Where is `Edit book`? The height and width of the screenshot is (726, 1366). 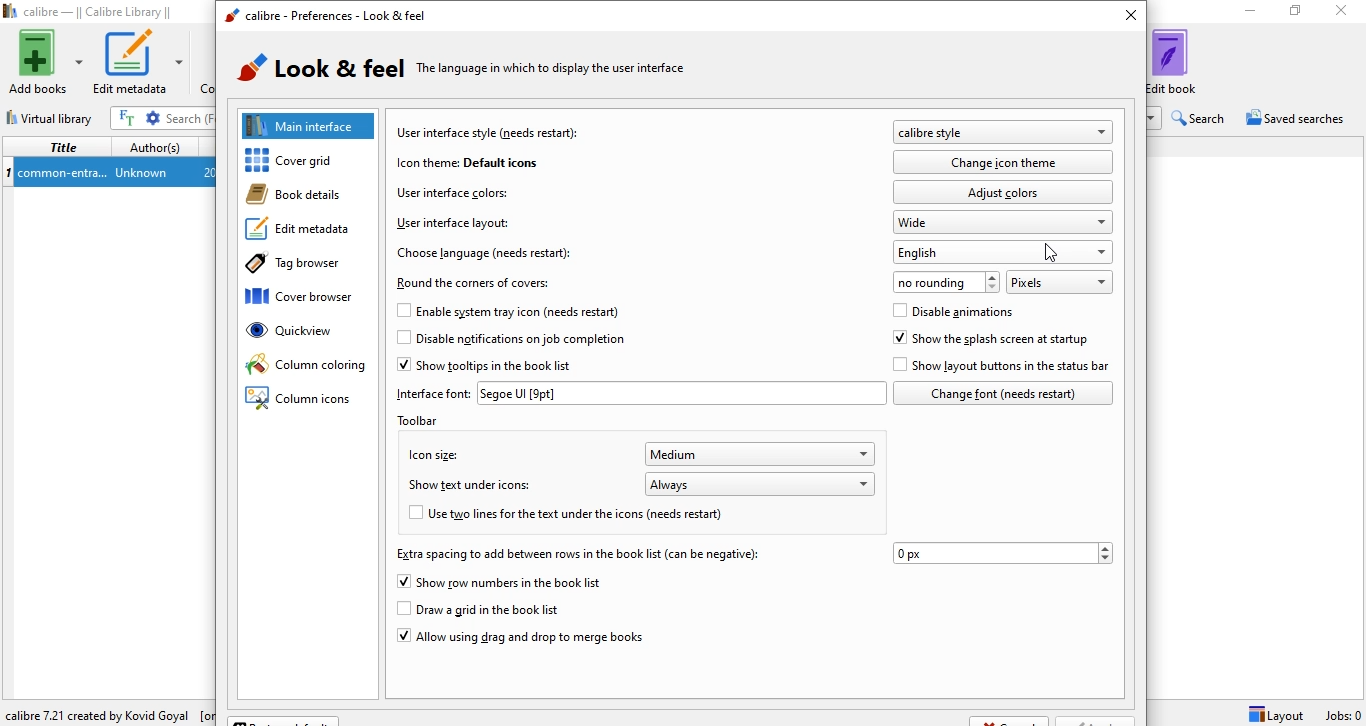 Edit book is located at coordinates (1185, 61).